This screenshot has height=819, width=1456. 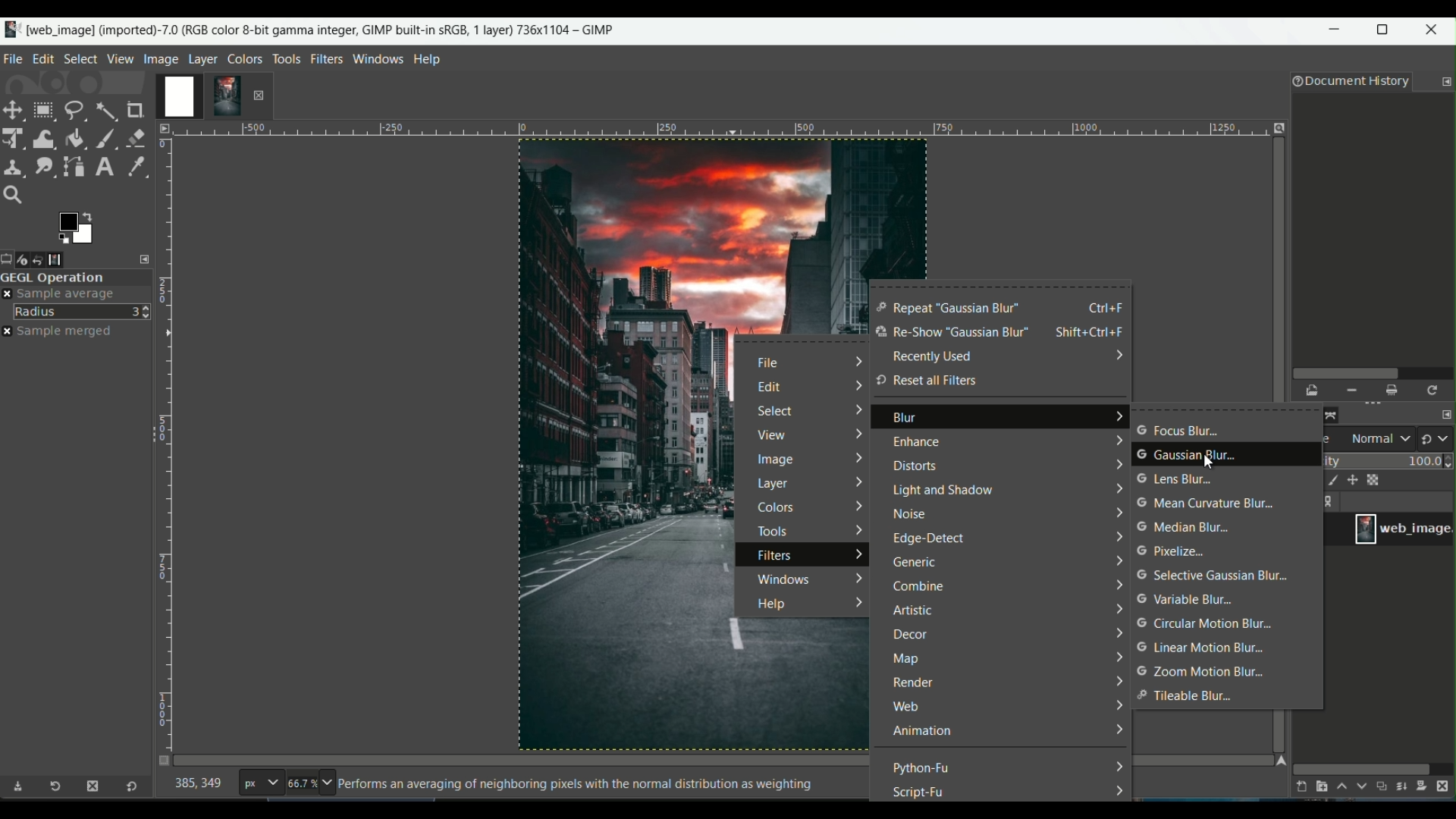 I want to click on mean curvature blur, so click(x=1210, y=504).